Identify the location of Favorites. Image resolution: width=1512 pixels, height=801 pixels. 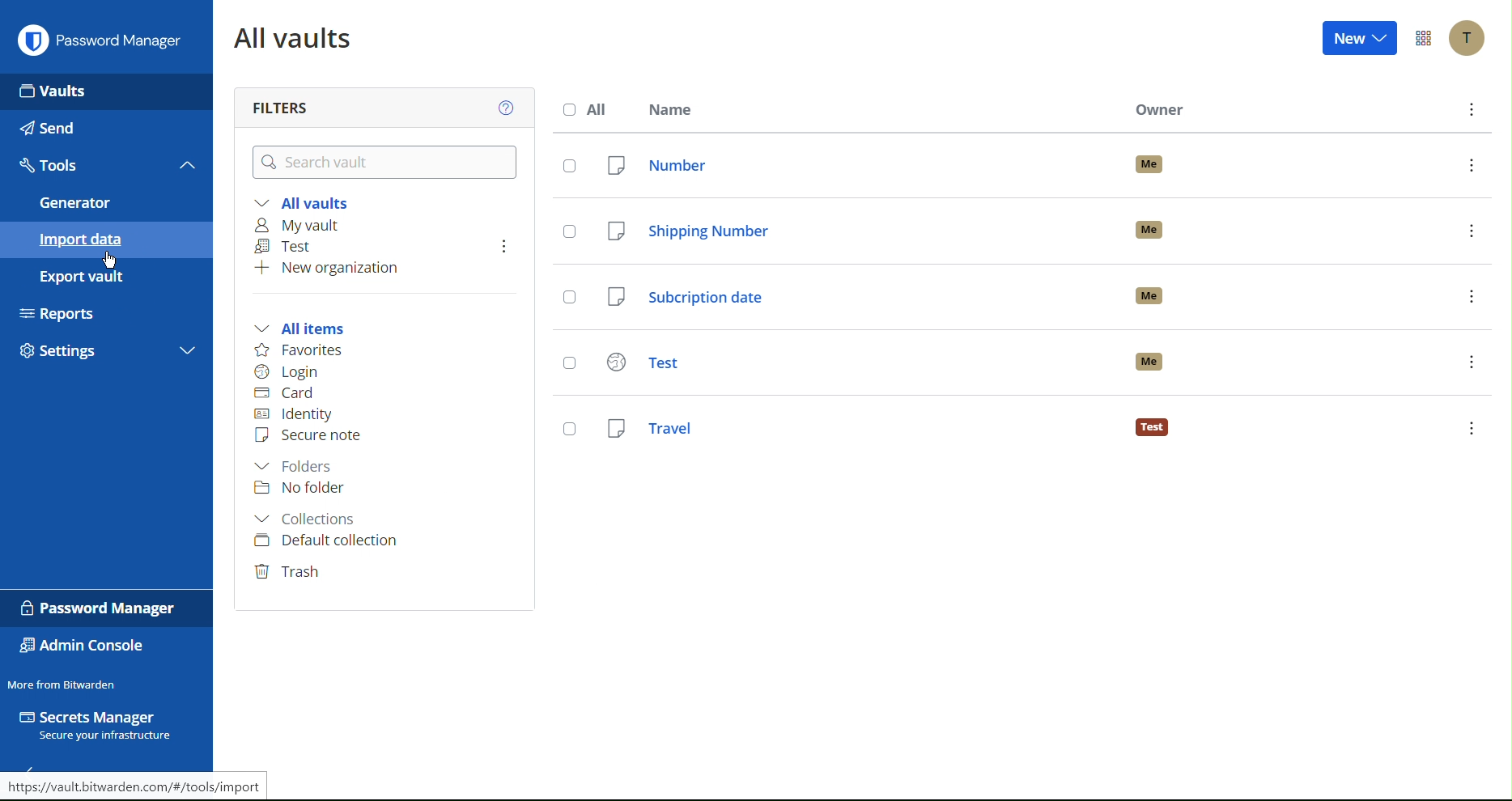
(303, 350).